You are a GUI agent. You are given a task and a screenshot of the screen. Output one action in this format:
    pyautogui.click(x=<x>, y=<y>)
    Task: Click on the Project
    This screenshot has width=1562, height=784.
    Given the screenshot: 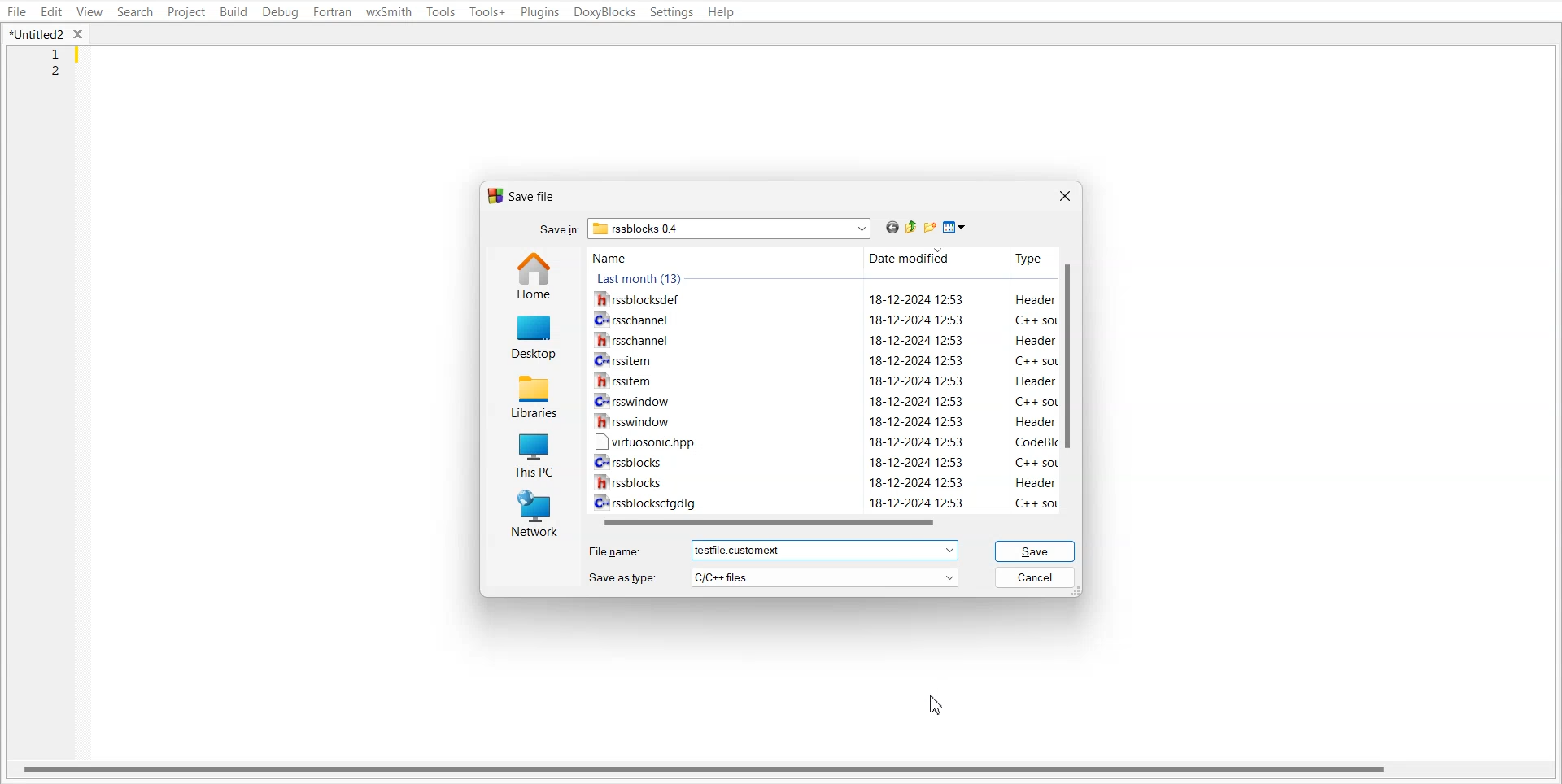 What is the action you would take?
    pyautogui.click(x=185, y=11)
    